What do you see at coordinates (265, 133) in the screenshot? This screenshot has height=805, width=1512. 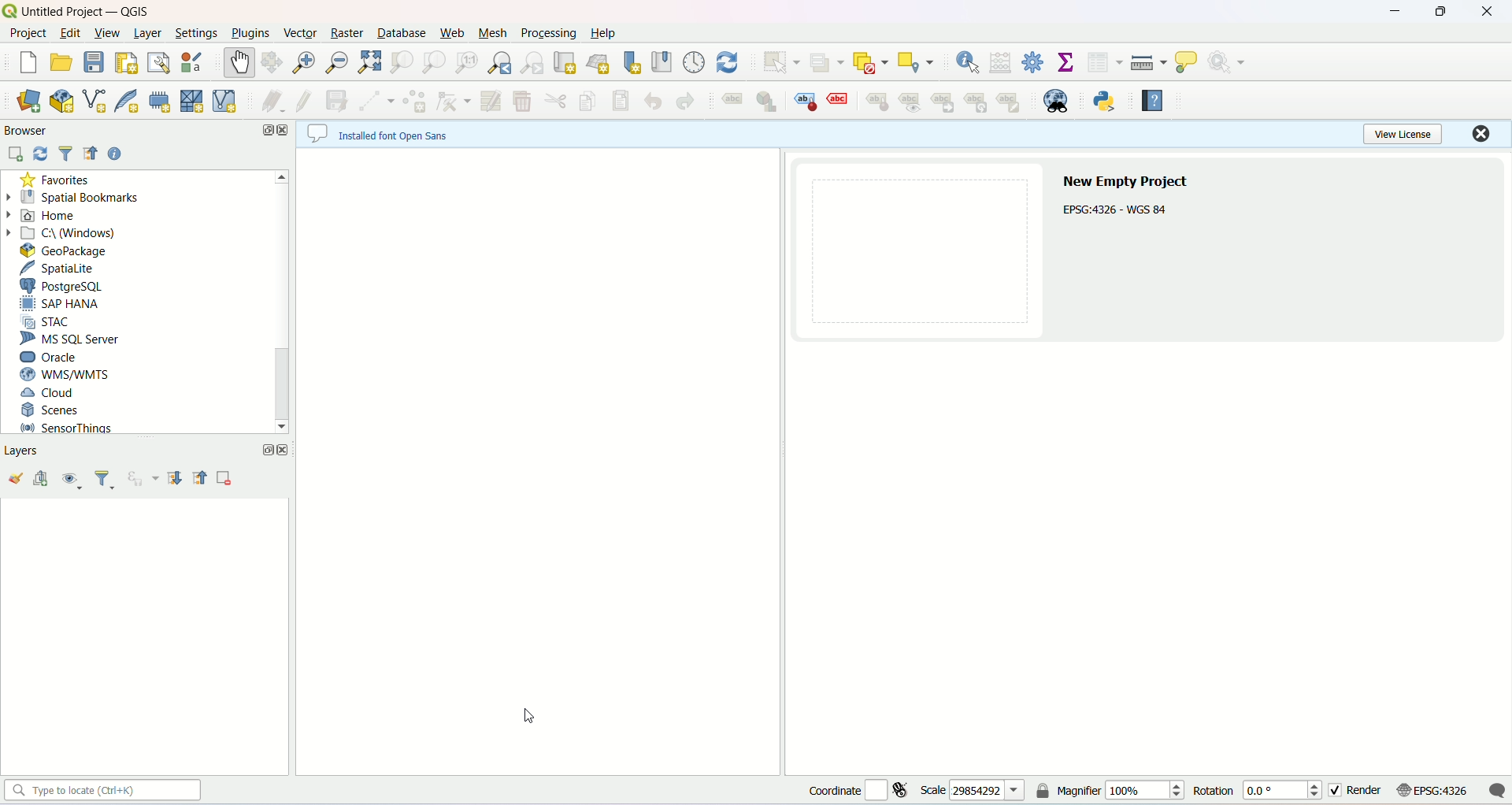 I see `` at bounding box center [265, 133].